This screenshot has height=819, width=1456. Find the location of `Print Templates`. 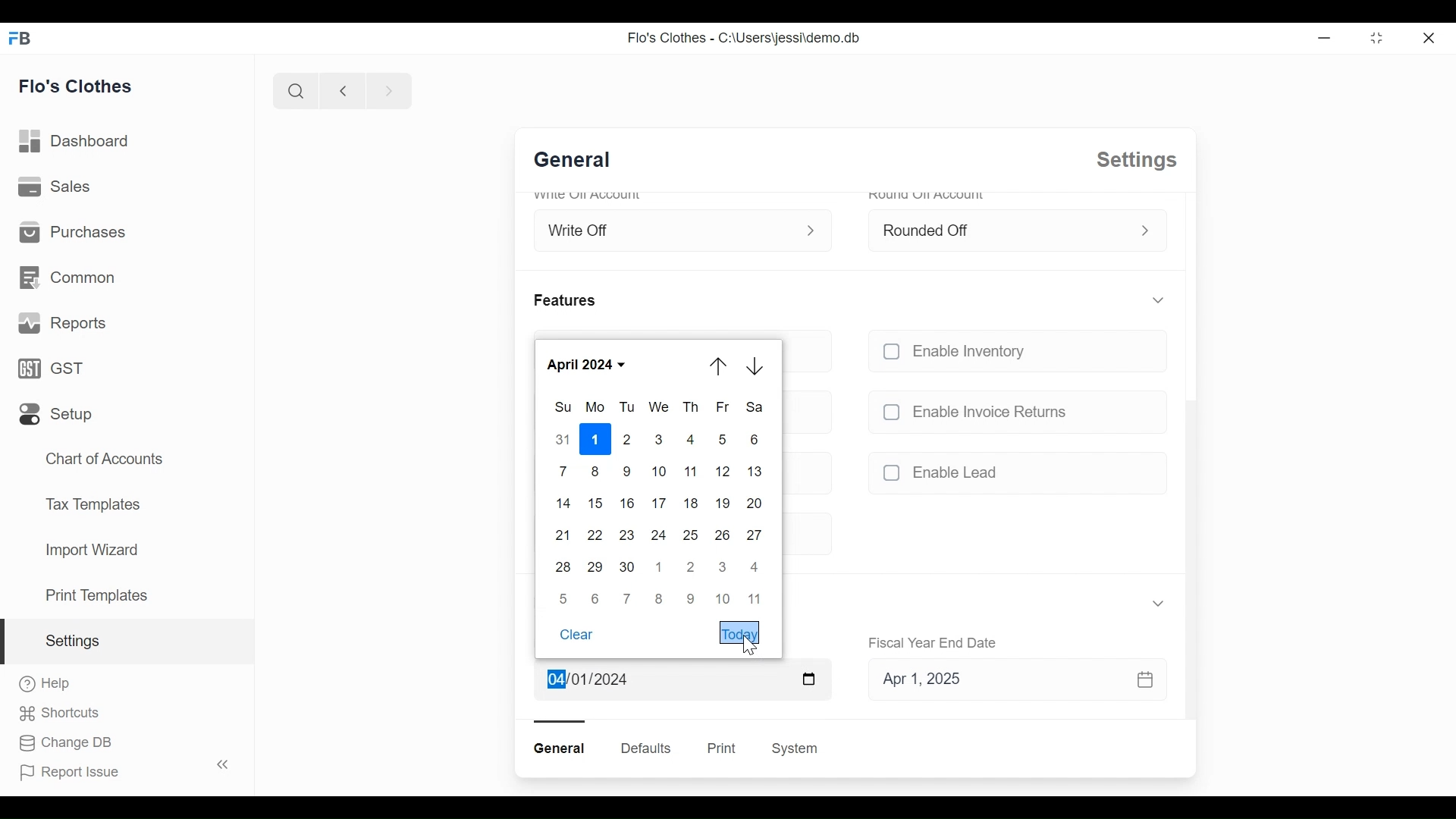

Print Templates is located at coordinates (96, 595).